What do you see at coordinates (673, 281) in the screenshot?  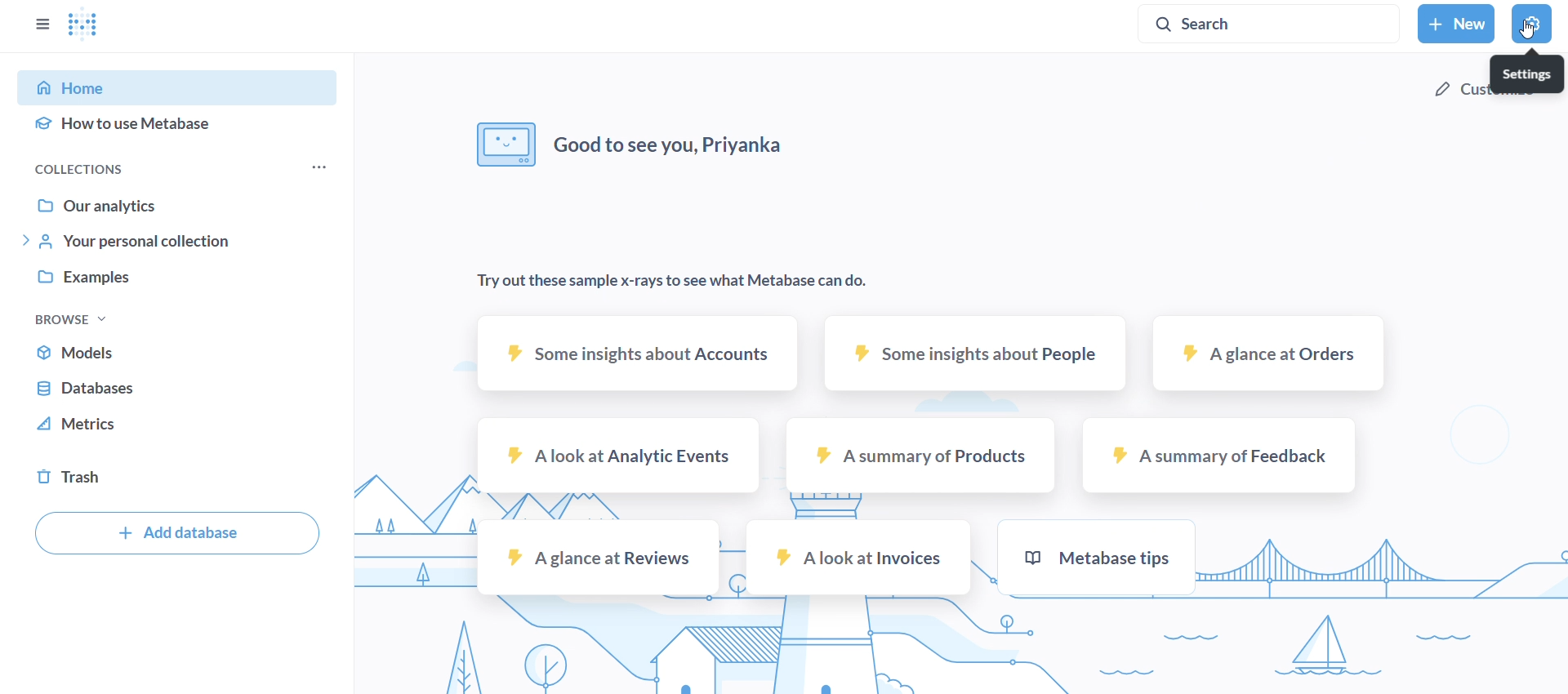 I see `try out these sample x-rays to see what metabase can do.` at bounding box center [673, 281].